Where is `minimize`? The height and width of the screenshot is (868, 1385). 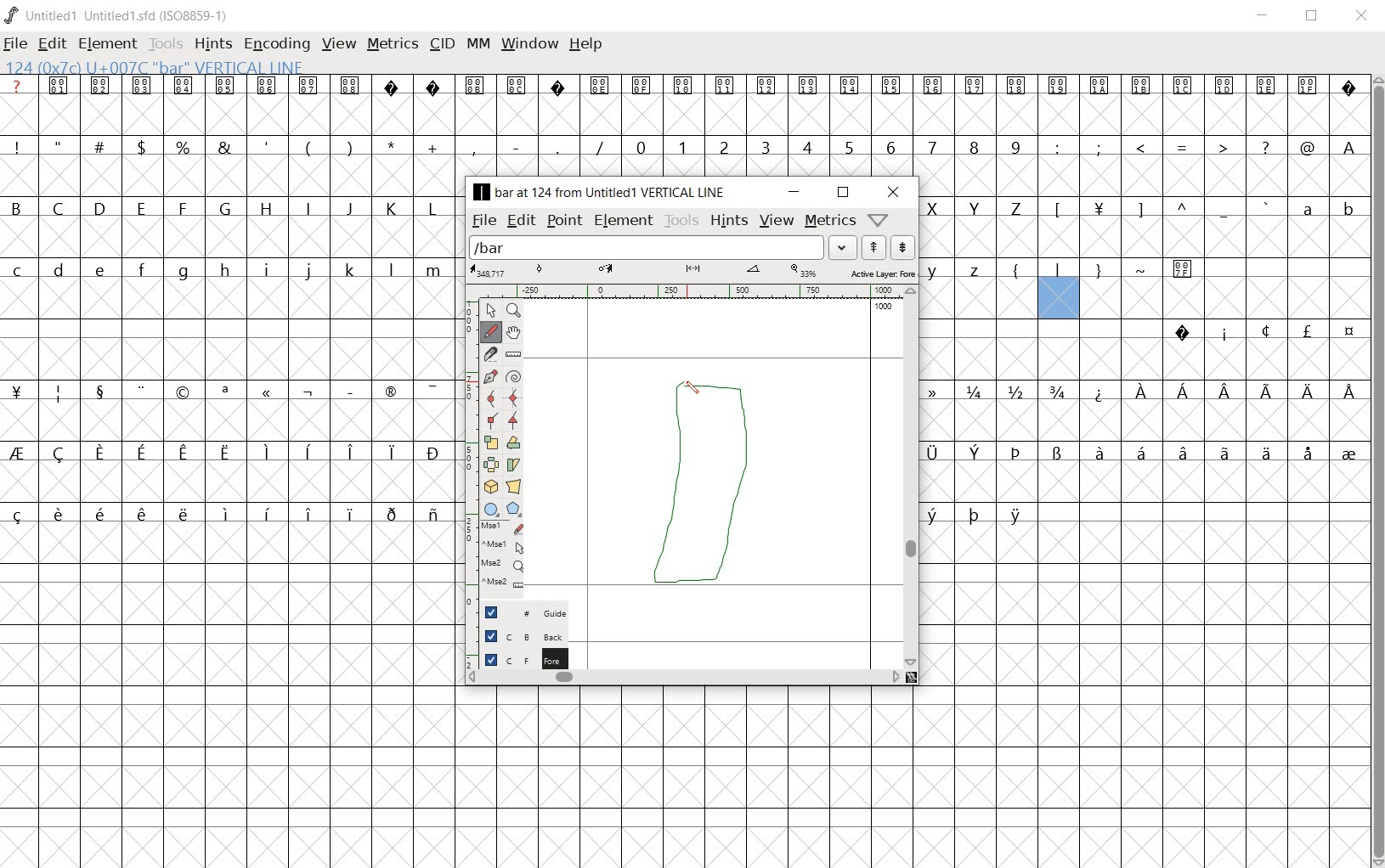 minimize is located at coordinates (794, 192).